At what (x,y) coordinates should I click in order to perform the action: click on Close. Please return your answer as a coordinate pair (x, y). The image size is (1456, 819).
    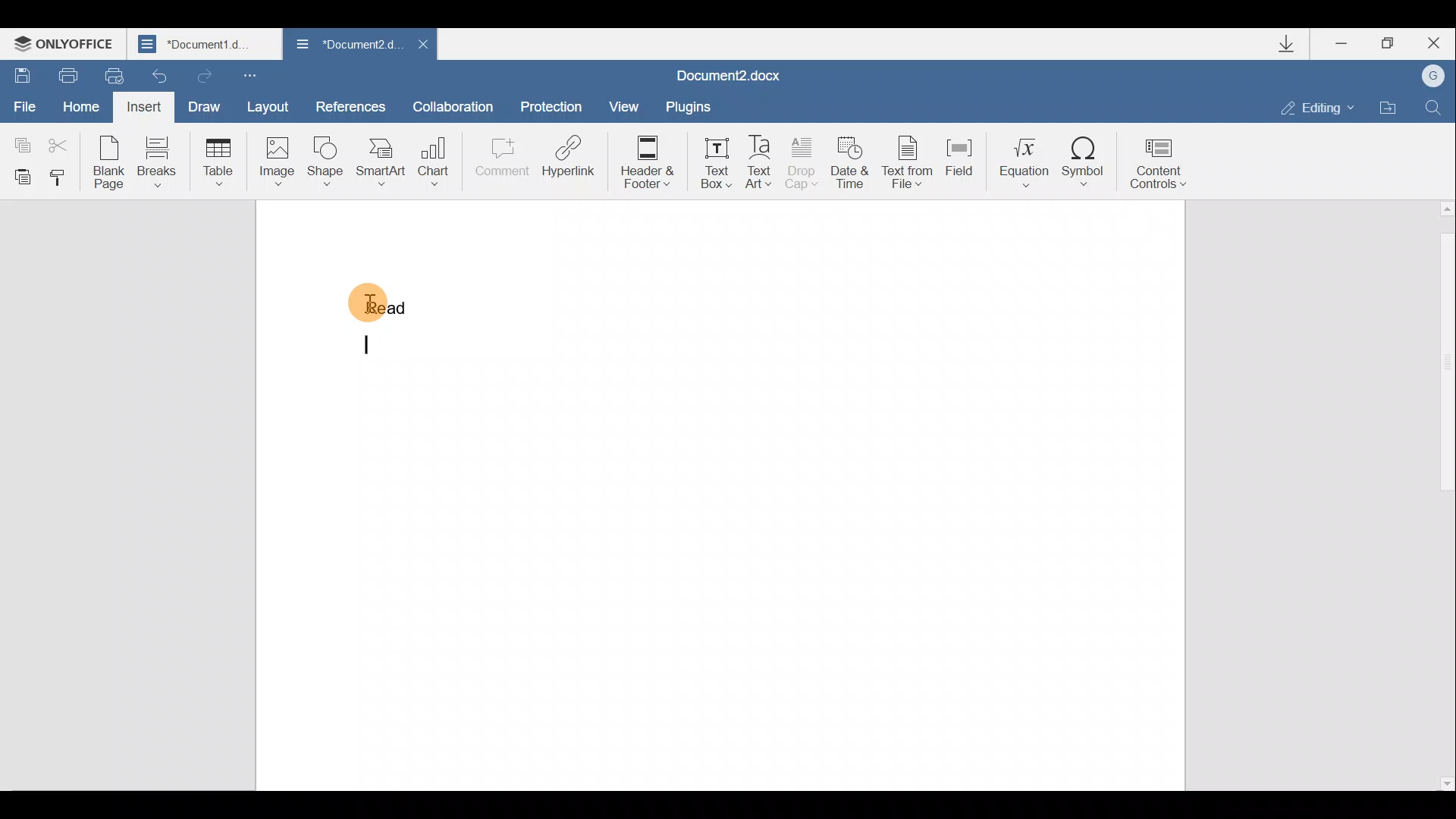
    Looking at the image, I should click on (423, 44).